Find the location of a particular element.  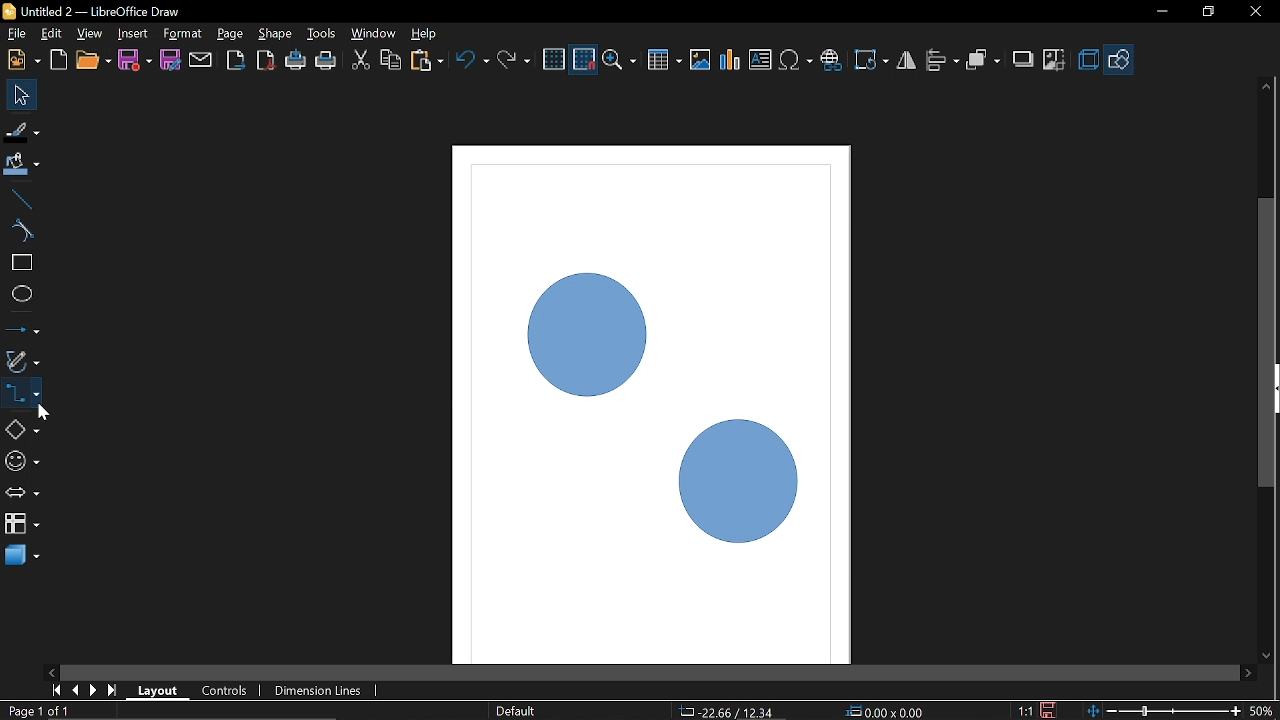

previous page is located at coordinates (72, 691).